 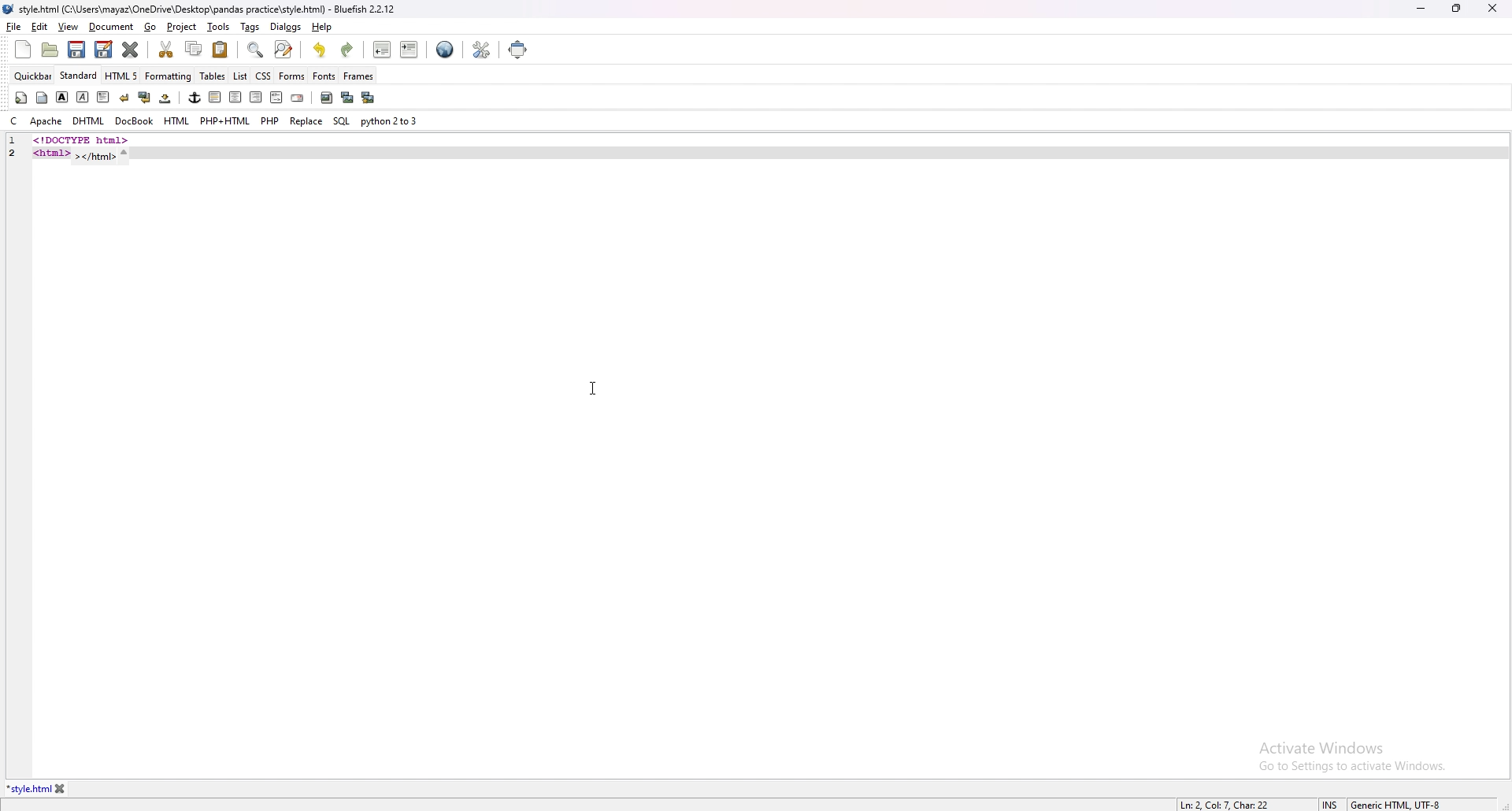 What do you see at coordinates (112, 28) in the screenshot?
I see `document` at bounding box center [112, 28].